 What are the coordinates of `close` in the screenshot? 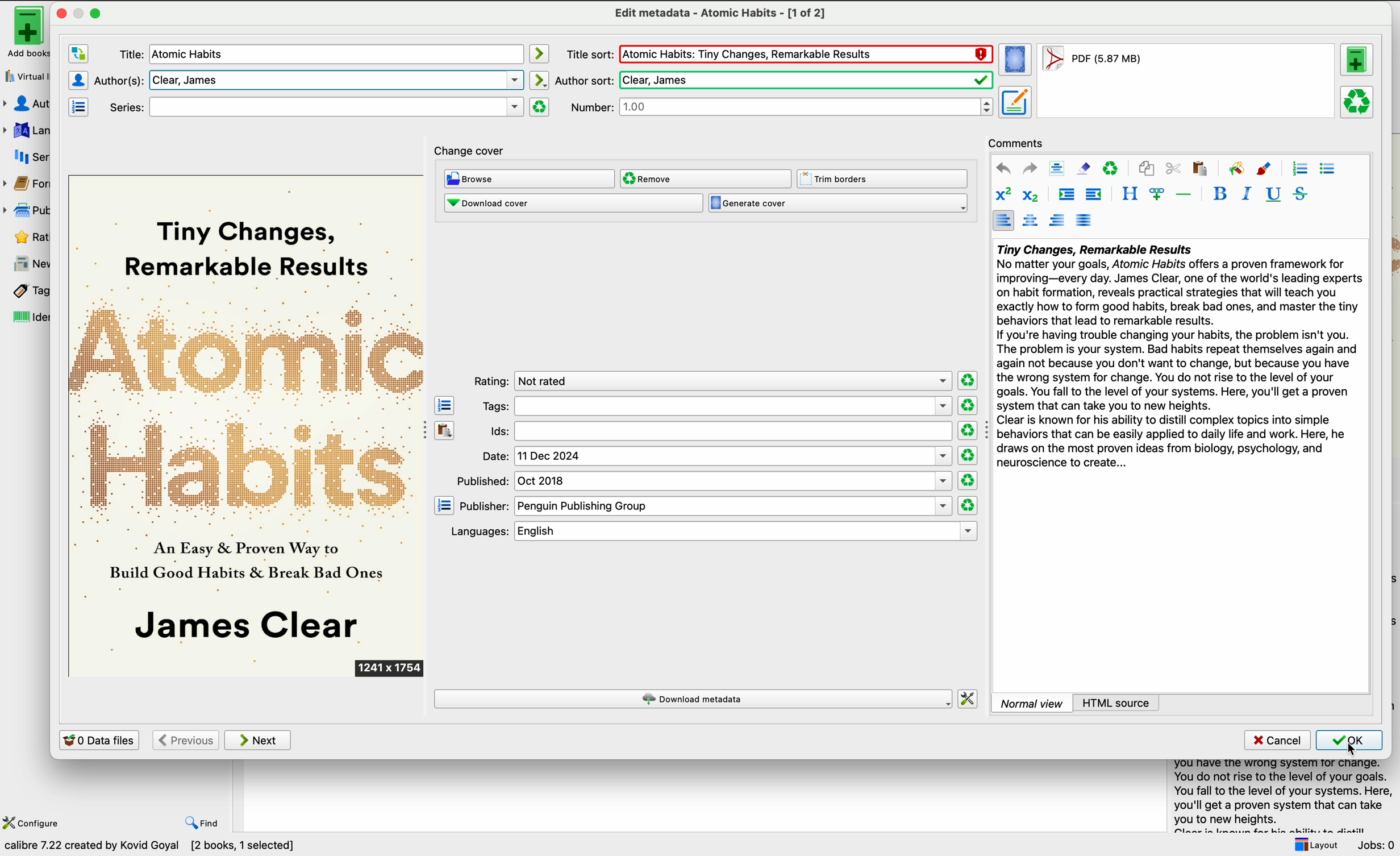 It's located at (60, 13).